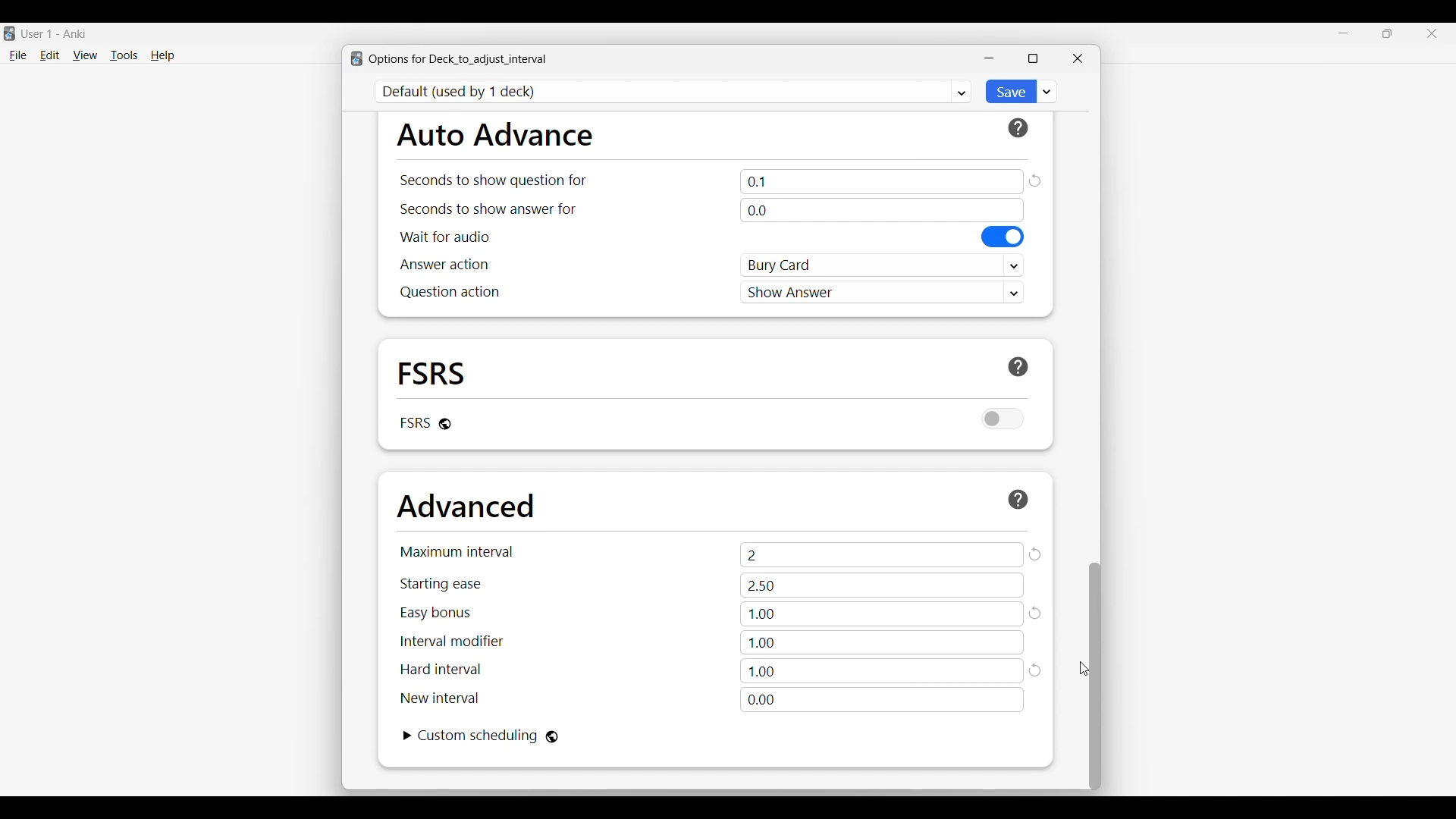 Image resolution: width=1456 pixels, height=819 pixels. Describe the element at coordinates (1009, 92) in the screenshot. I see `Click to save` at that location.